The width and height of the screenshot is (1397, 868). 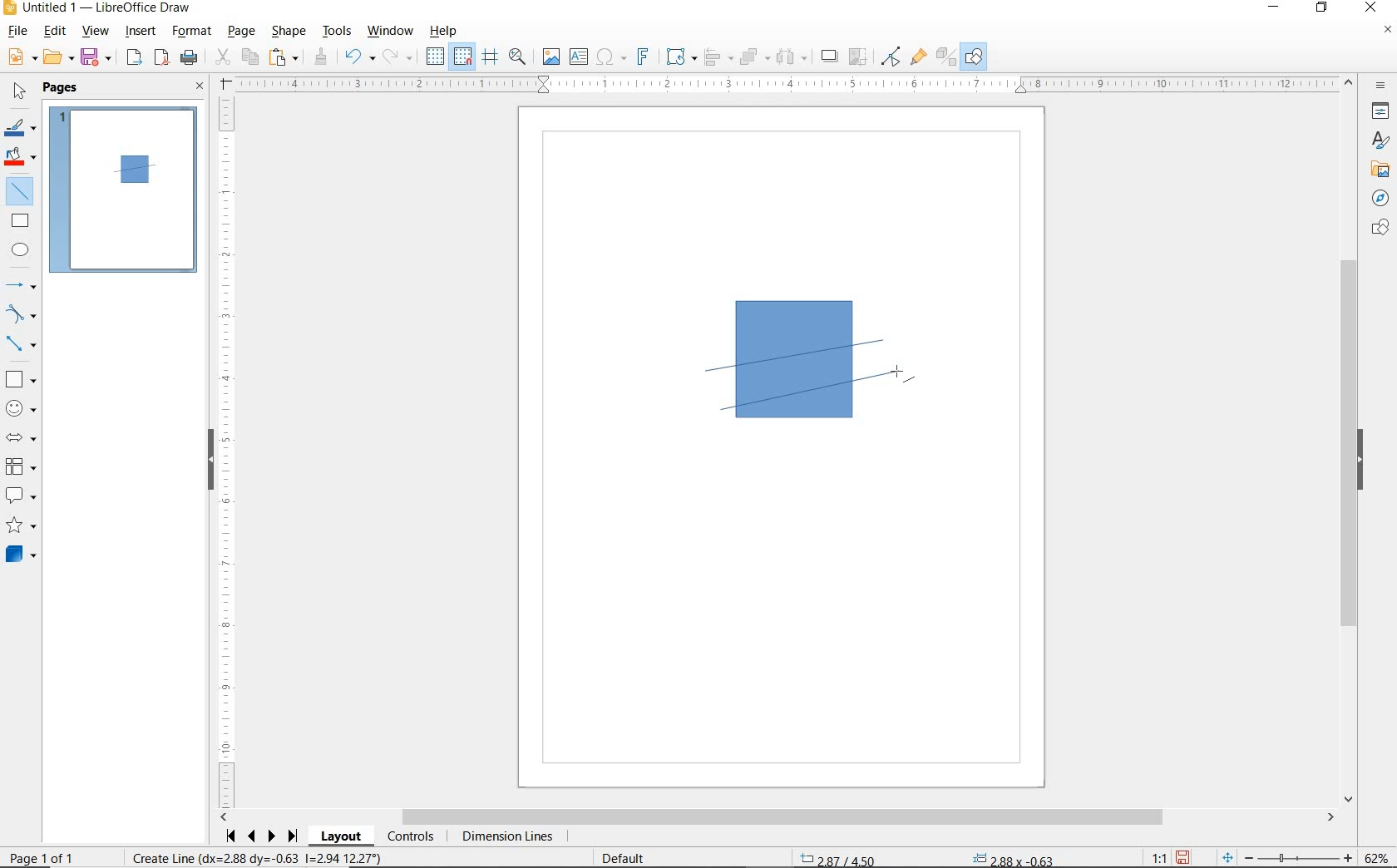 I want to click on BASIC SHAPES, so click(x=19, y=377).